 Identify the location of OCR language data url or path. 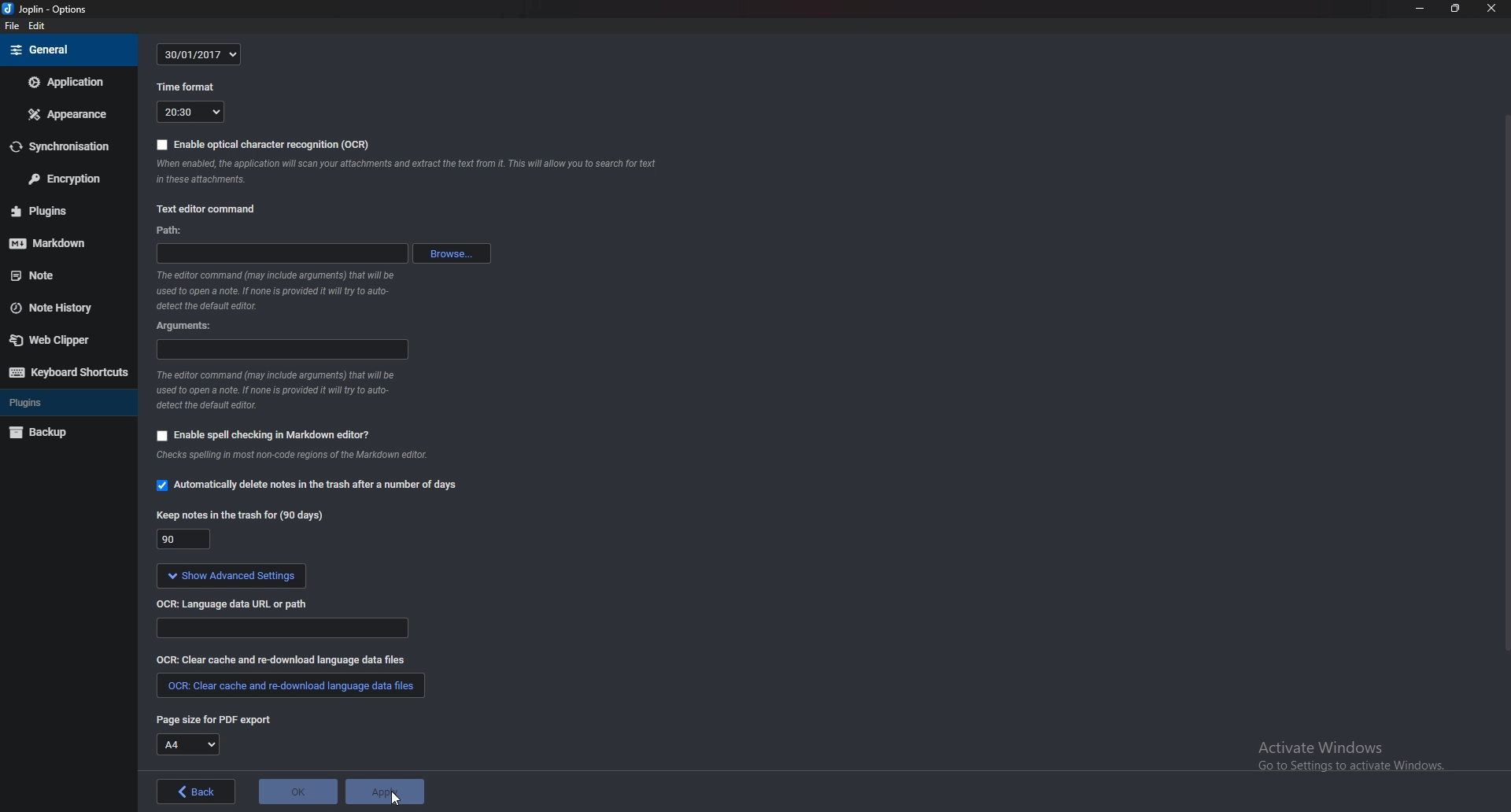
(242, 604).